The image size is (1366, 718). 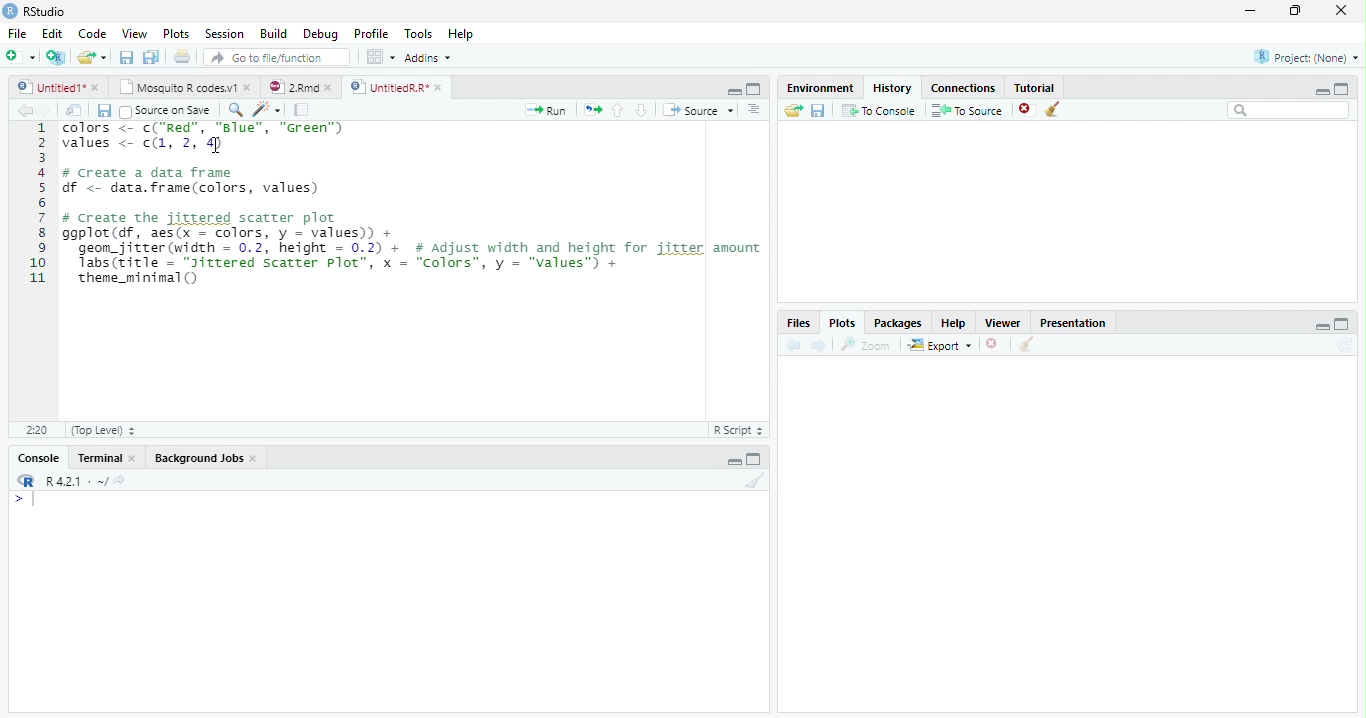 I want to click on close, so click(x=95, y=88).